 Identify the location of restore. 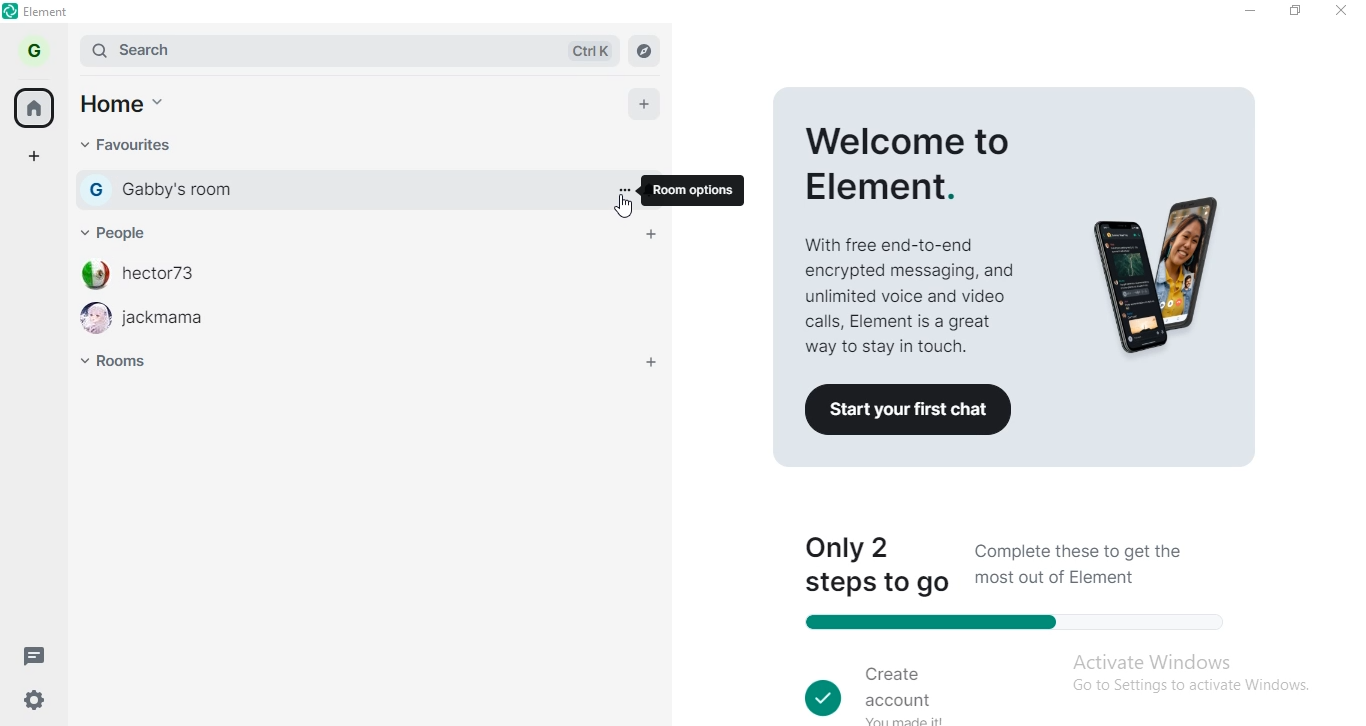
(1296, 11).